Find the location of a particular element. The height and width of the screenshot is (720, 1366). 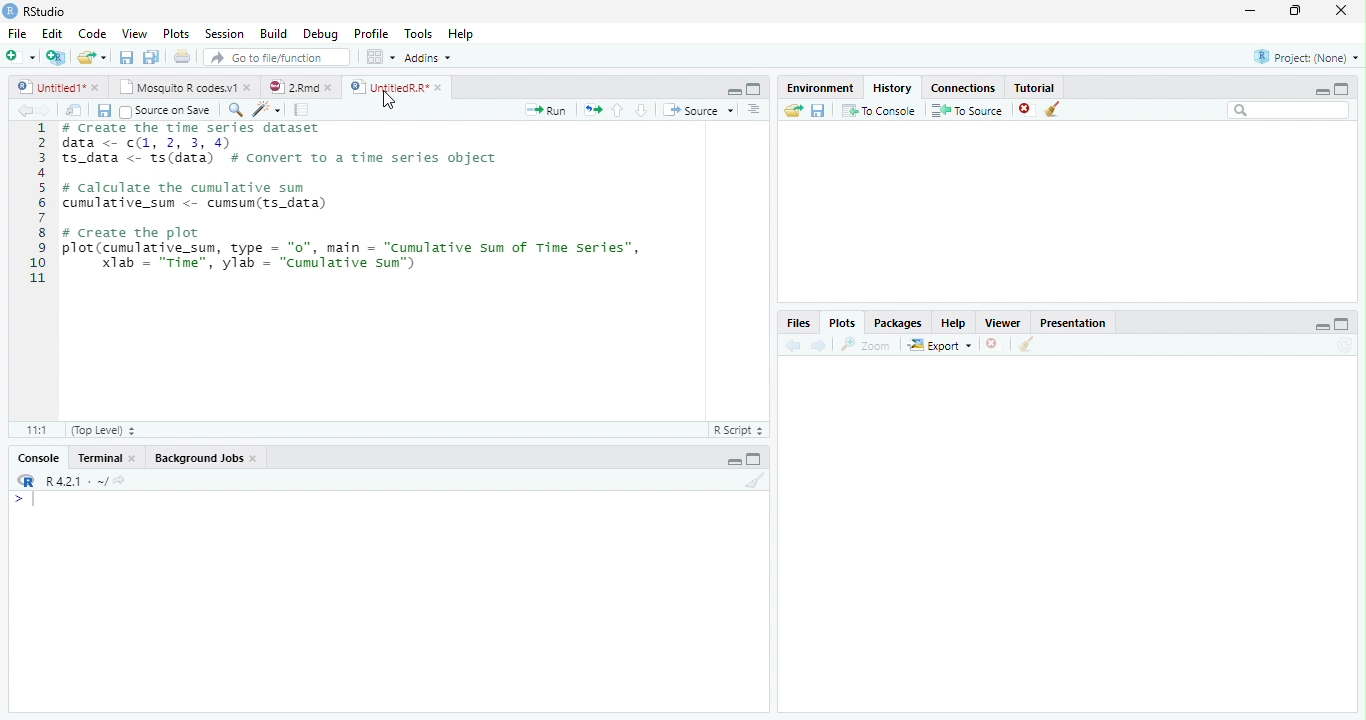

To Source is located at coordinates (966, 111).